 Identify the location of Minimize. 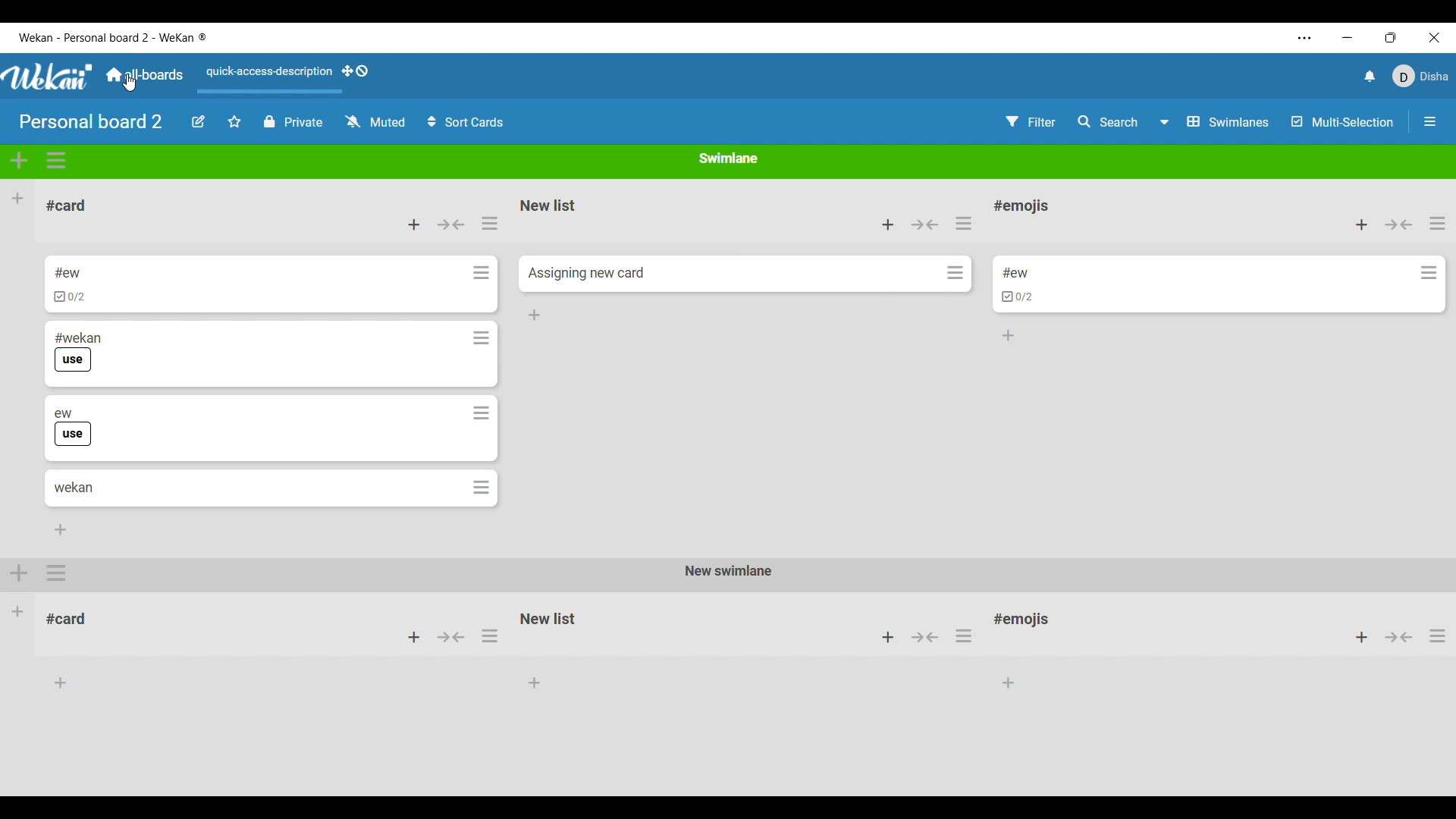
(1348, 37).